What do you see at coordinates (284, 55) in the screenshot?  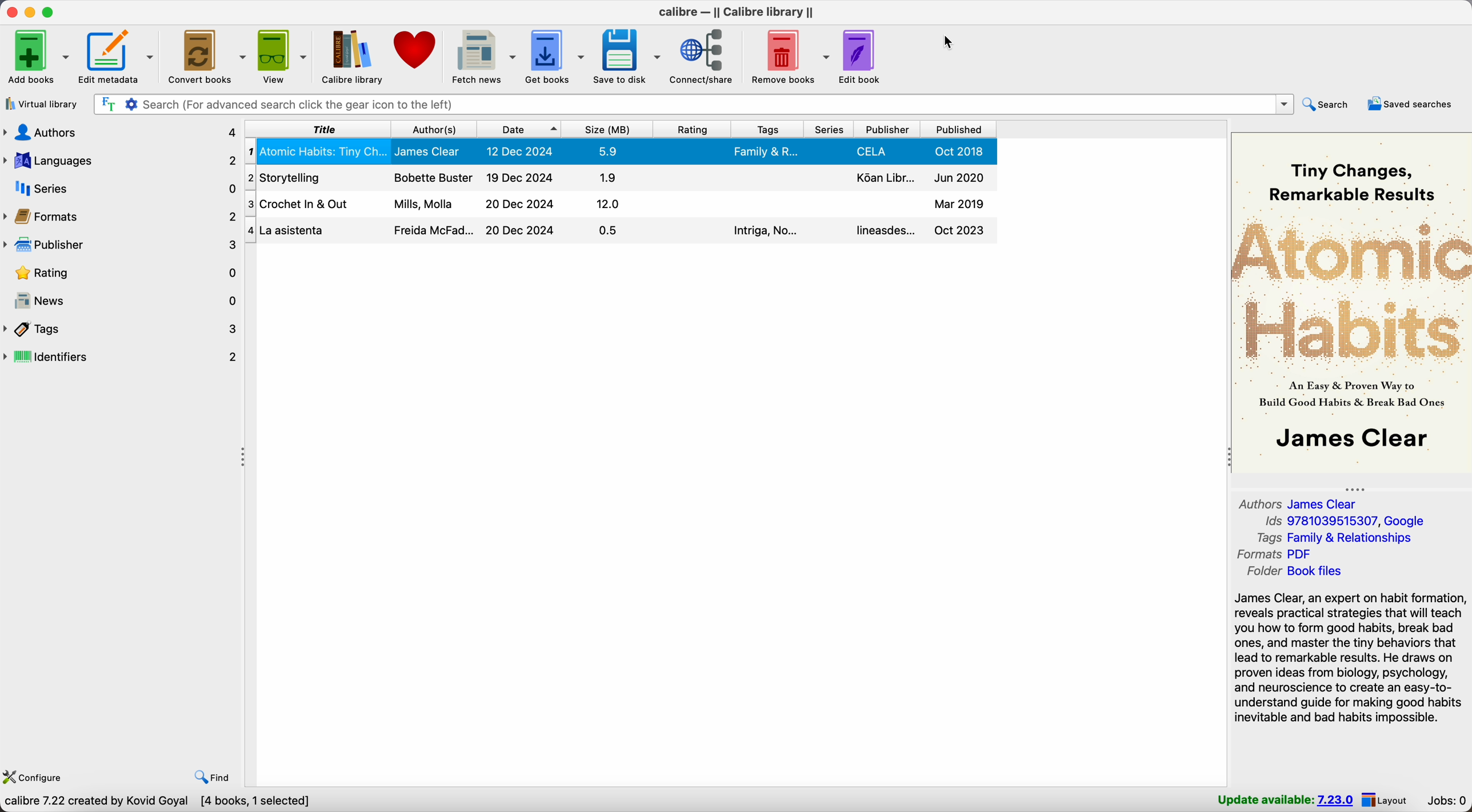 I see `view` at bounding box center [284, 55].